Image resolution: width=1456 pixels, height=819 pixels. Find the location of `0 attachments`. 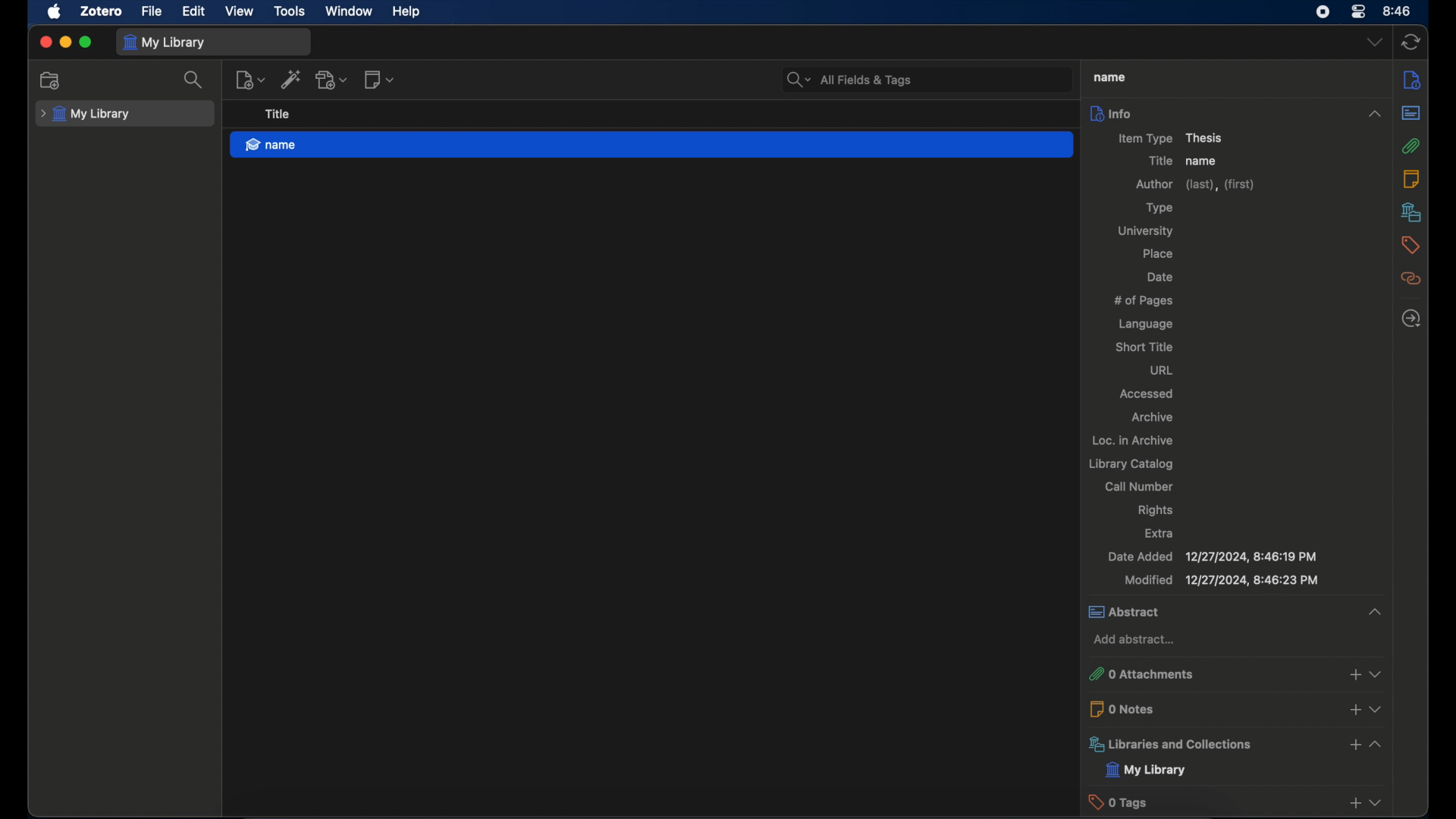

0 attachments is located at coordinates (1209, 674).